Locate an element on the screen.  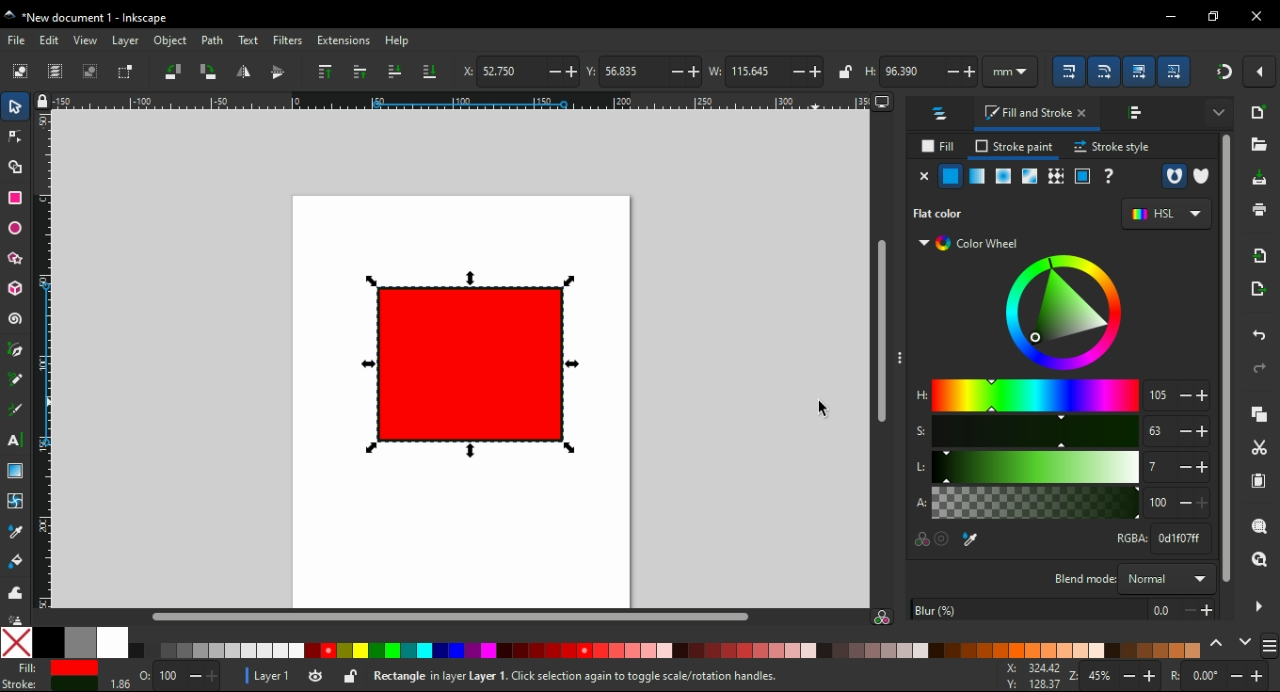
increase/decrease is located at coordinates (1194, 432).